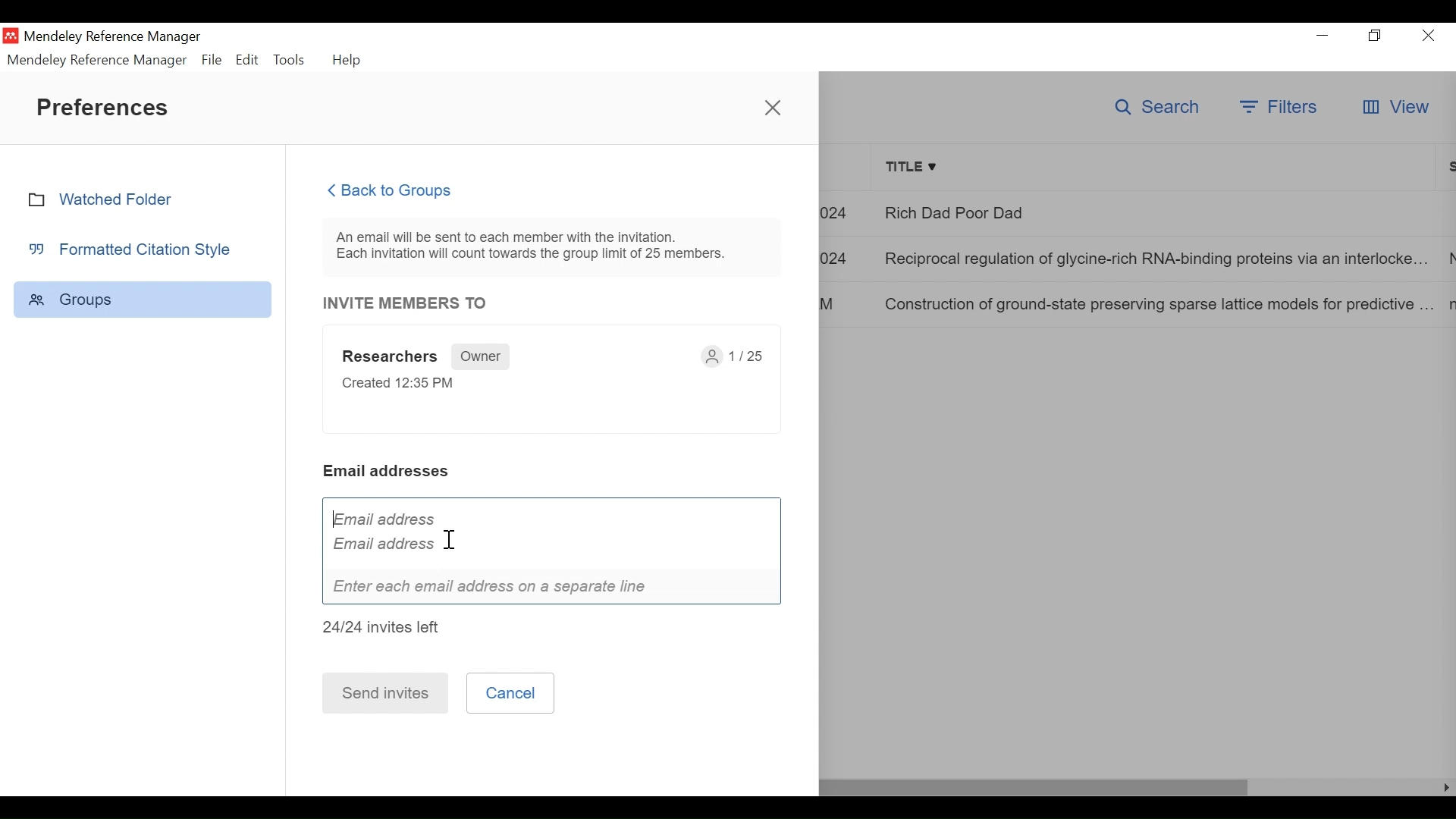 The height and width of the screenshot is (819, 1456). I want to click on Preferences, so click(107, 107).